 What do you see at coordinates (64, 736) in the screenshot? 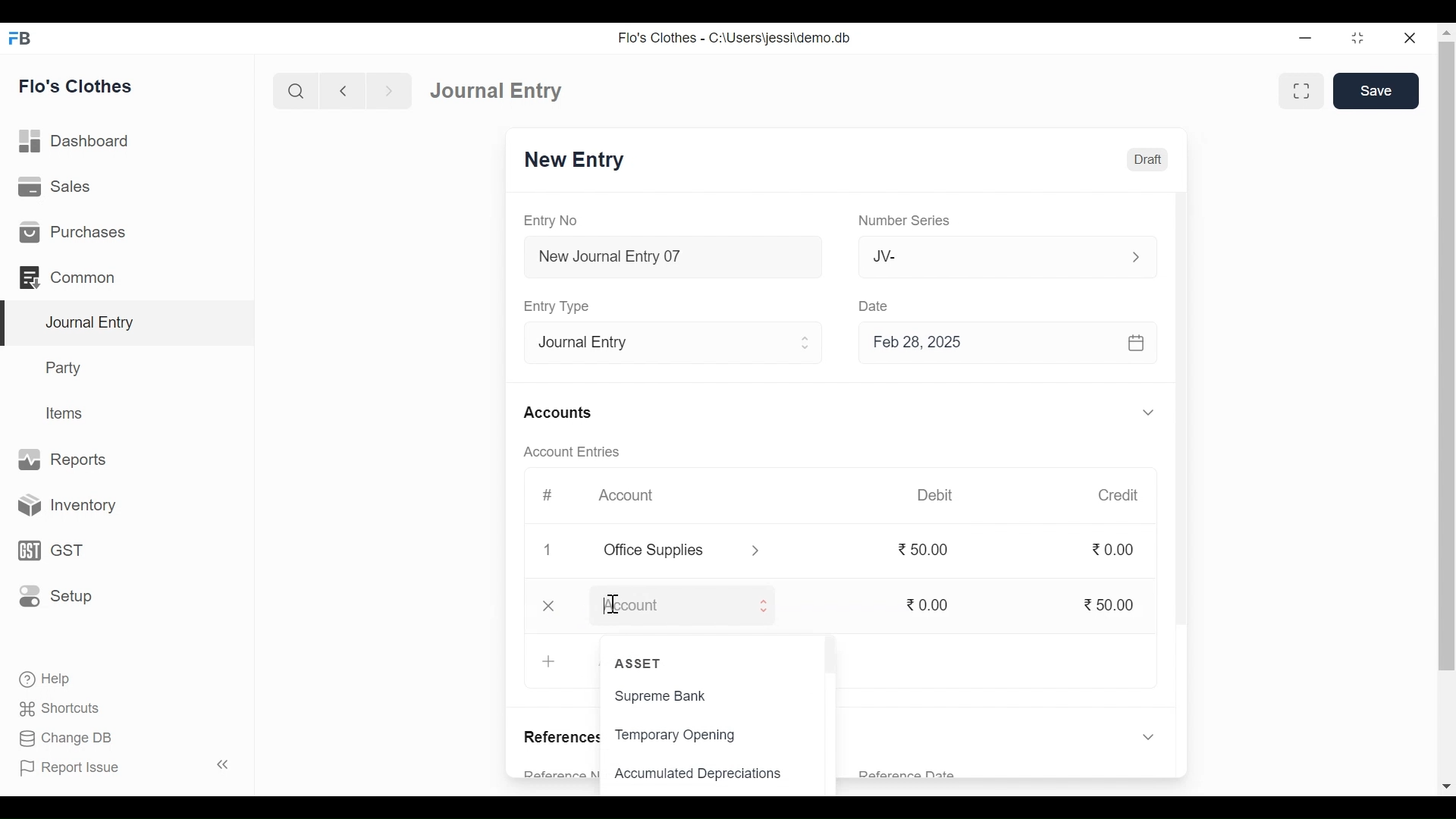
I see `Change DB` at bounding box center [64, 736].